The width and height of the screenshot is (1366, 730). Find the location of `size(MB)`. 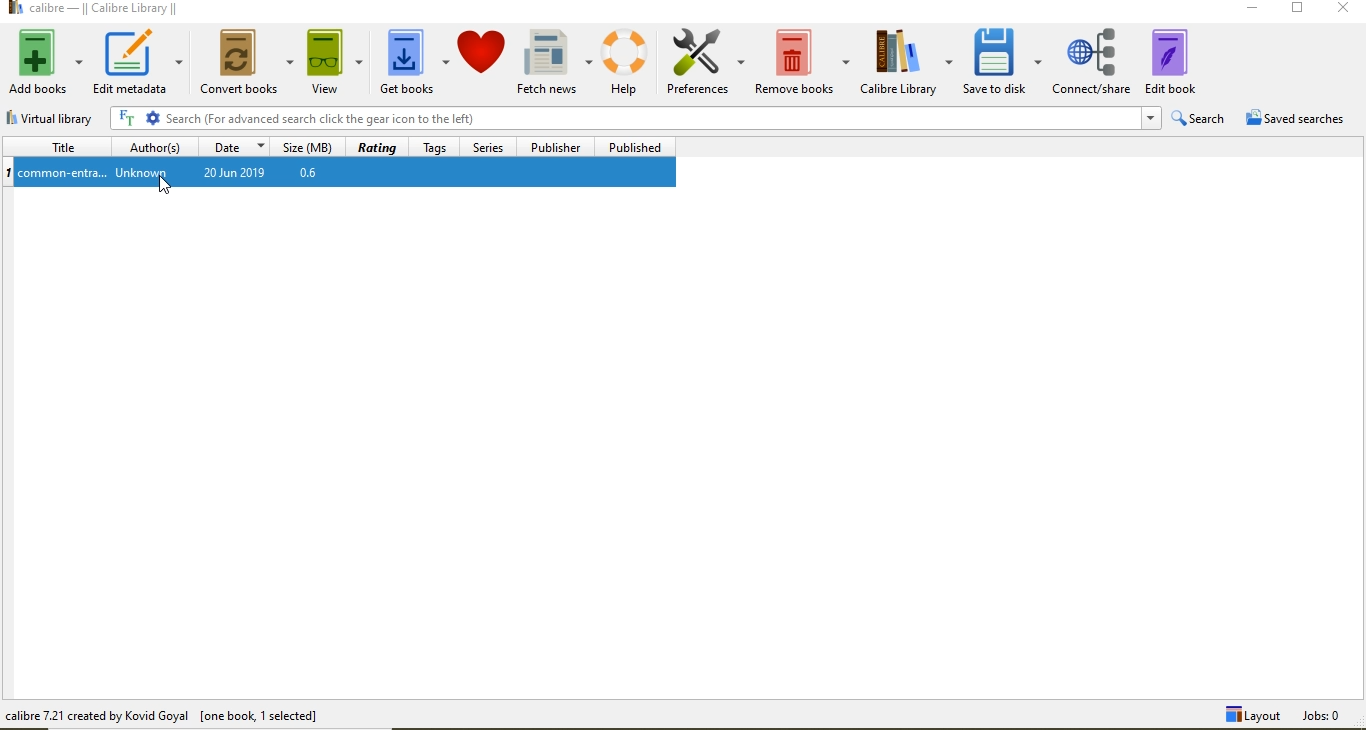

size(MB) is located at coordinates (304, 148).